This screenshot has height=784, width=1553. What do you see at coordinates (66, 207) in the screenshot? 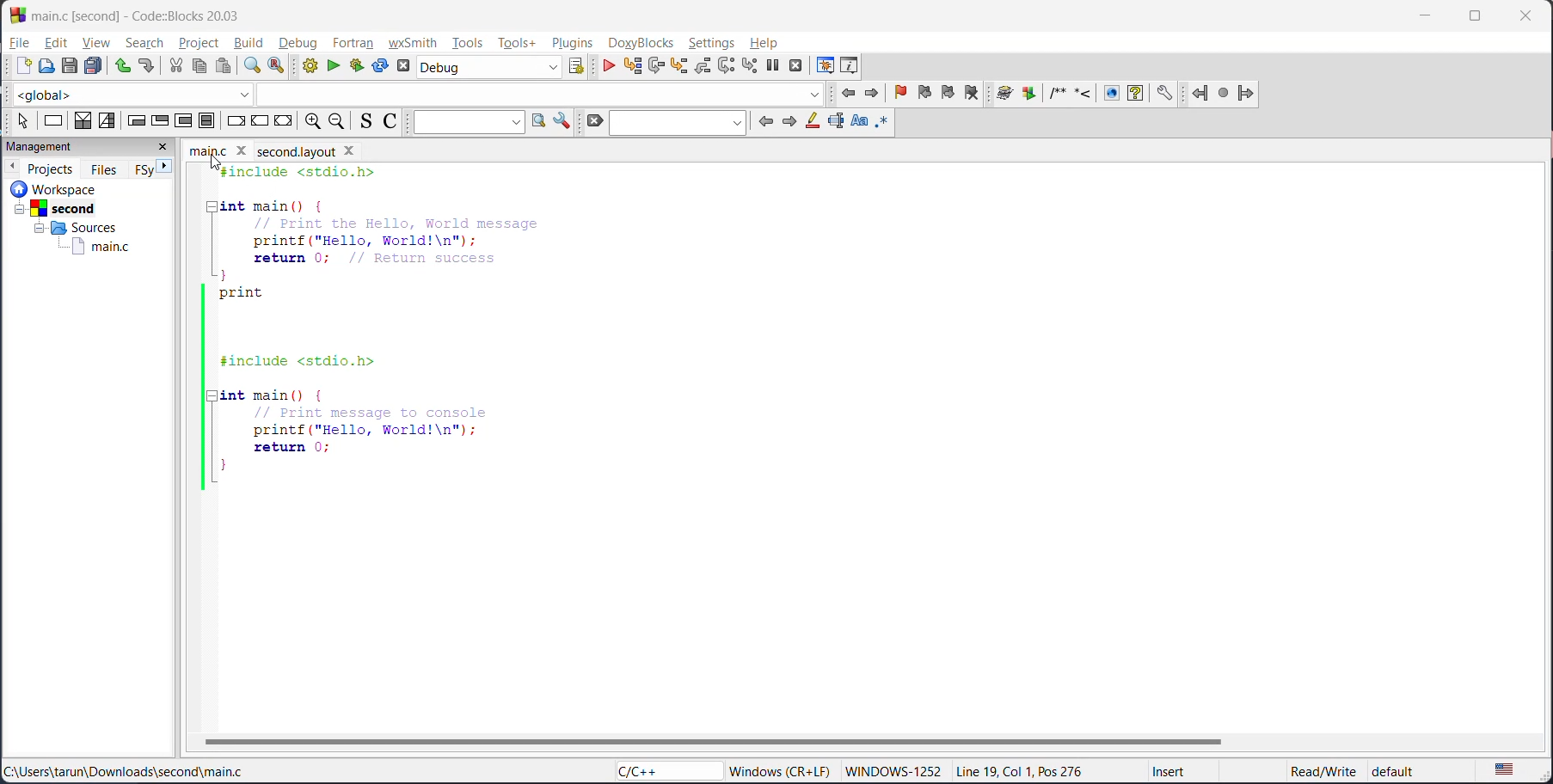
I see `Second` at bounding box center [66, 207].